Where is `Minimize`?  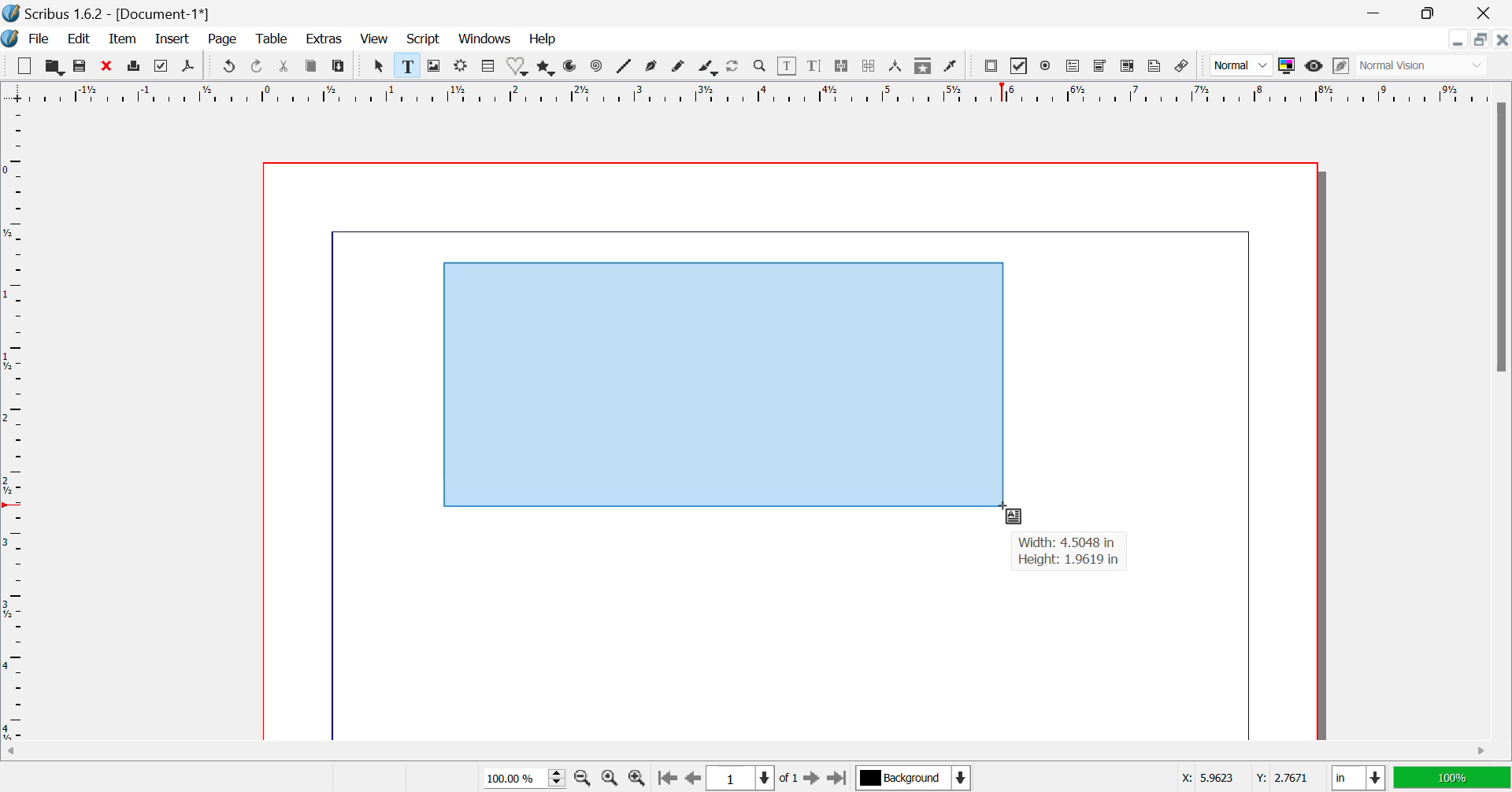 Minimize is located at coordinates (1482, 40).